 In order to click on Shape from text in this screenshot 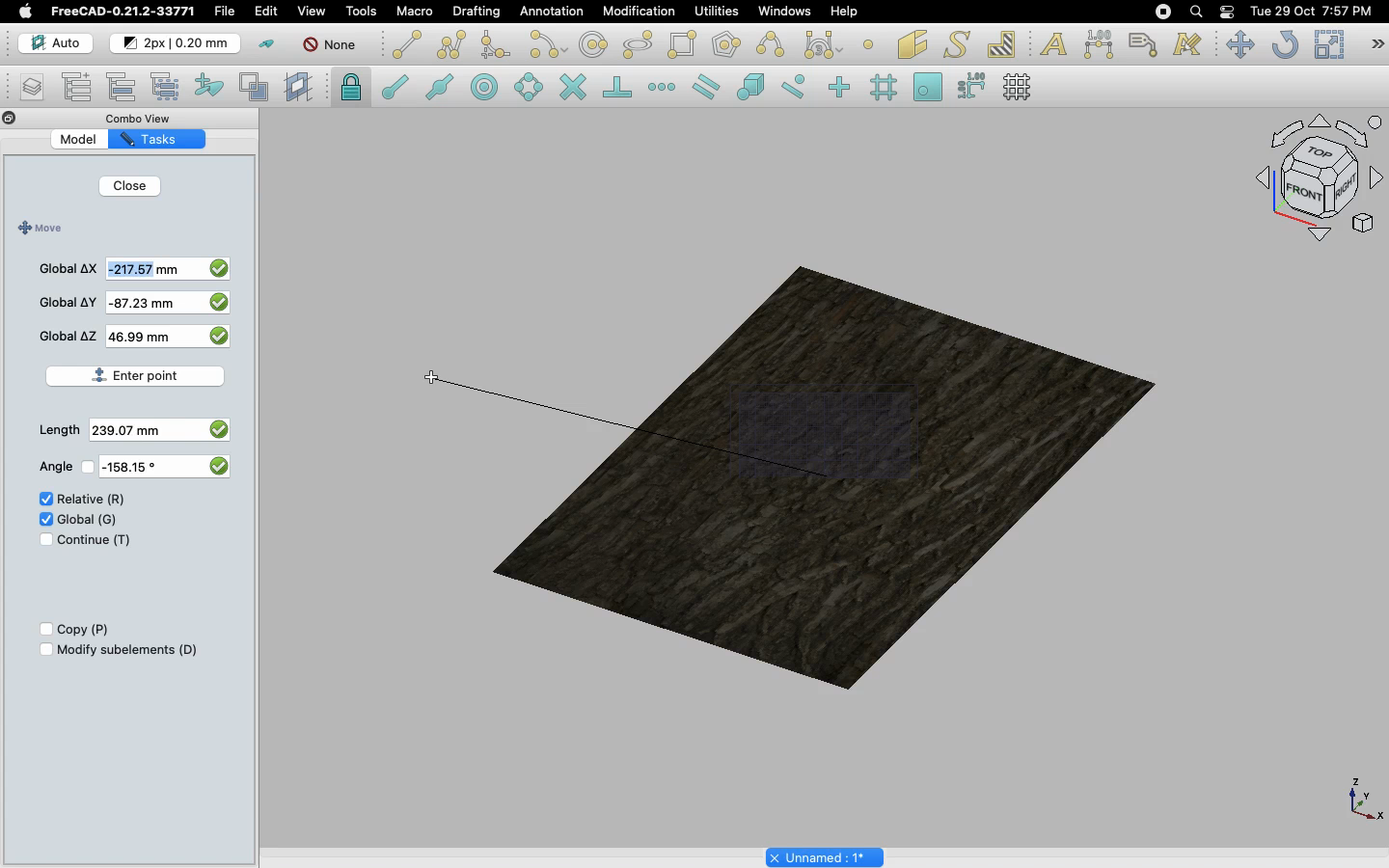, I will do `click(960, 46)`.